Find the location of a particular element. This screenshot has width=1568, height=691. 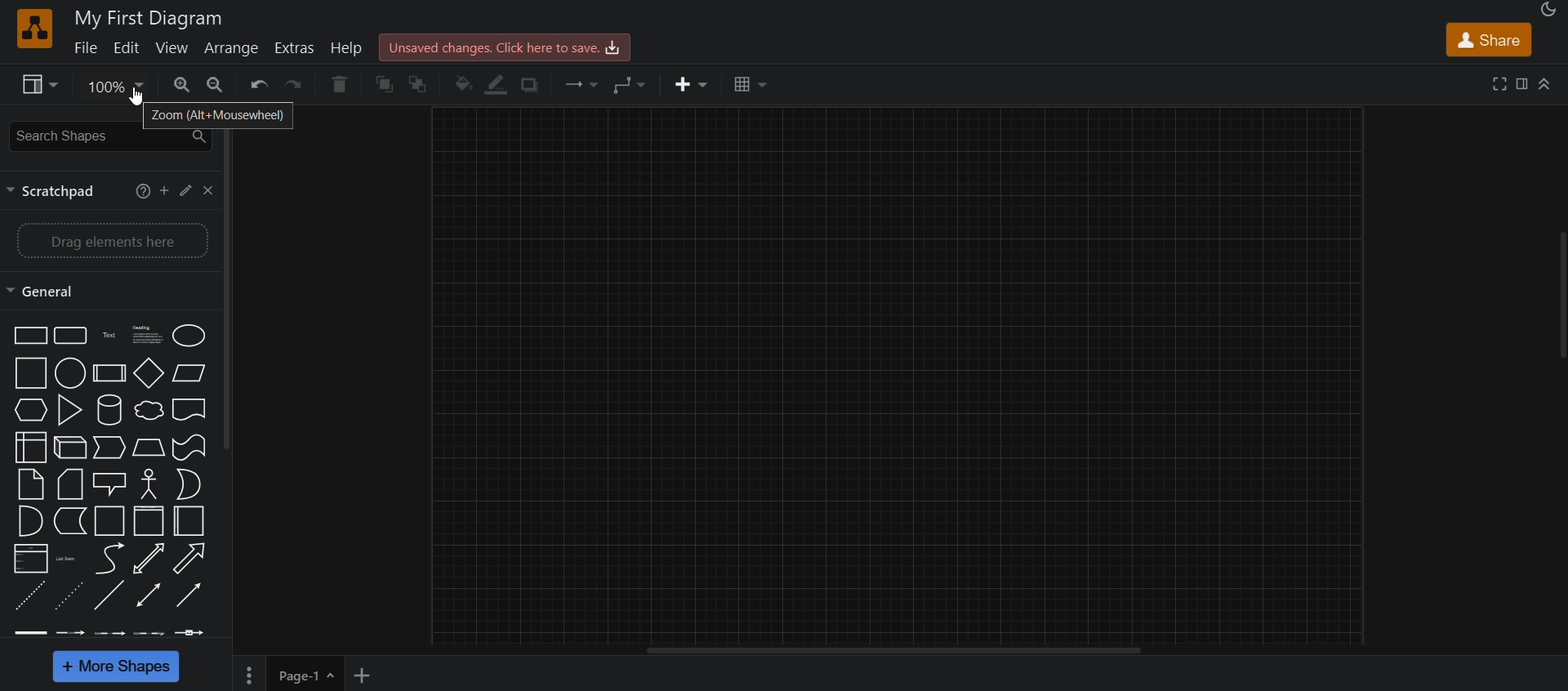

shapes is located at coordinates (111, 480).